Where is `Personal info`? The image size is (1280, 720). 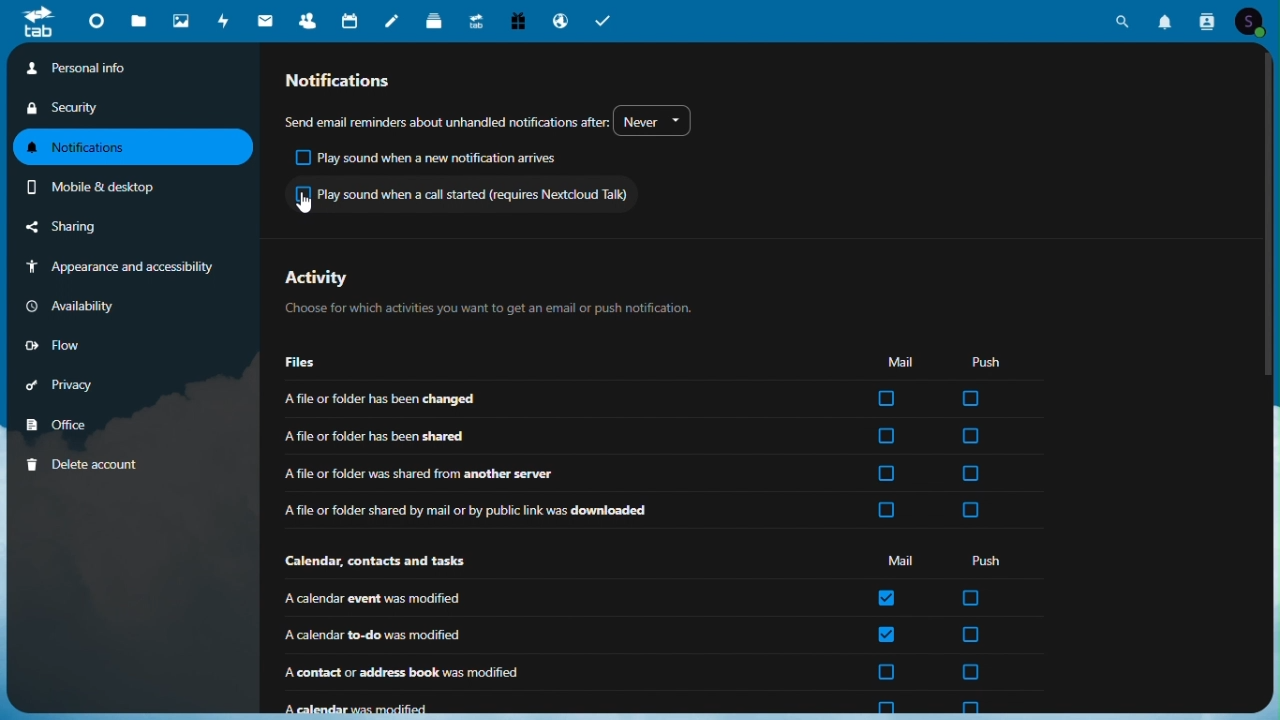
Personal info is located at coordinates (133, 69).